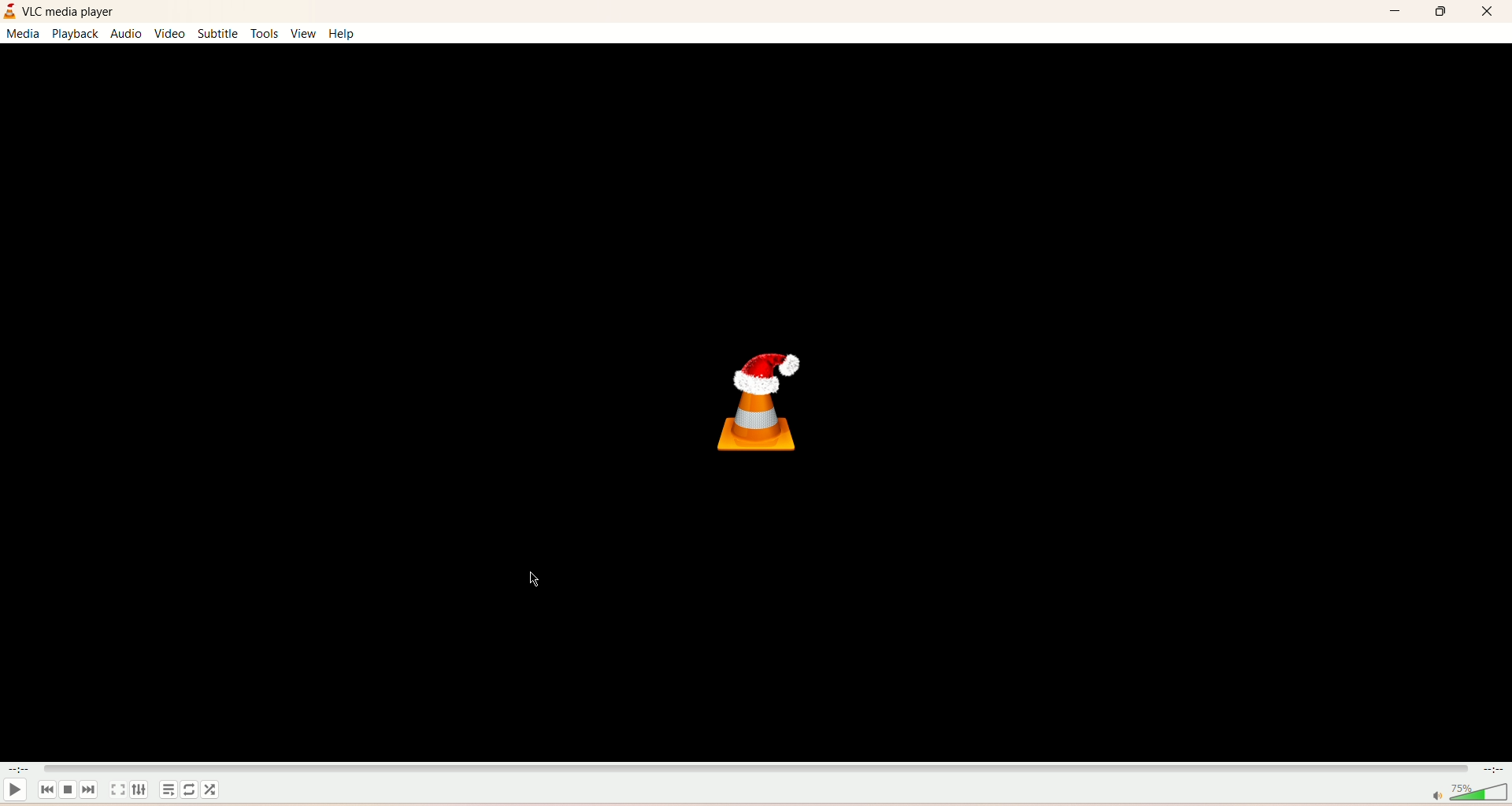  What do you see at coordinates (68, 789) in the screenshot?
I see `stop` at bounding box center [68, 789].